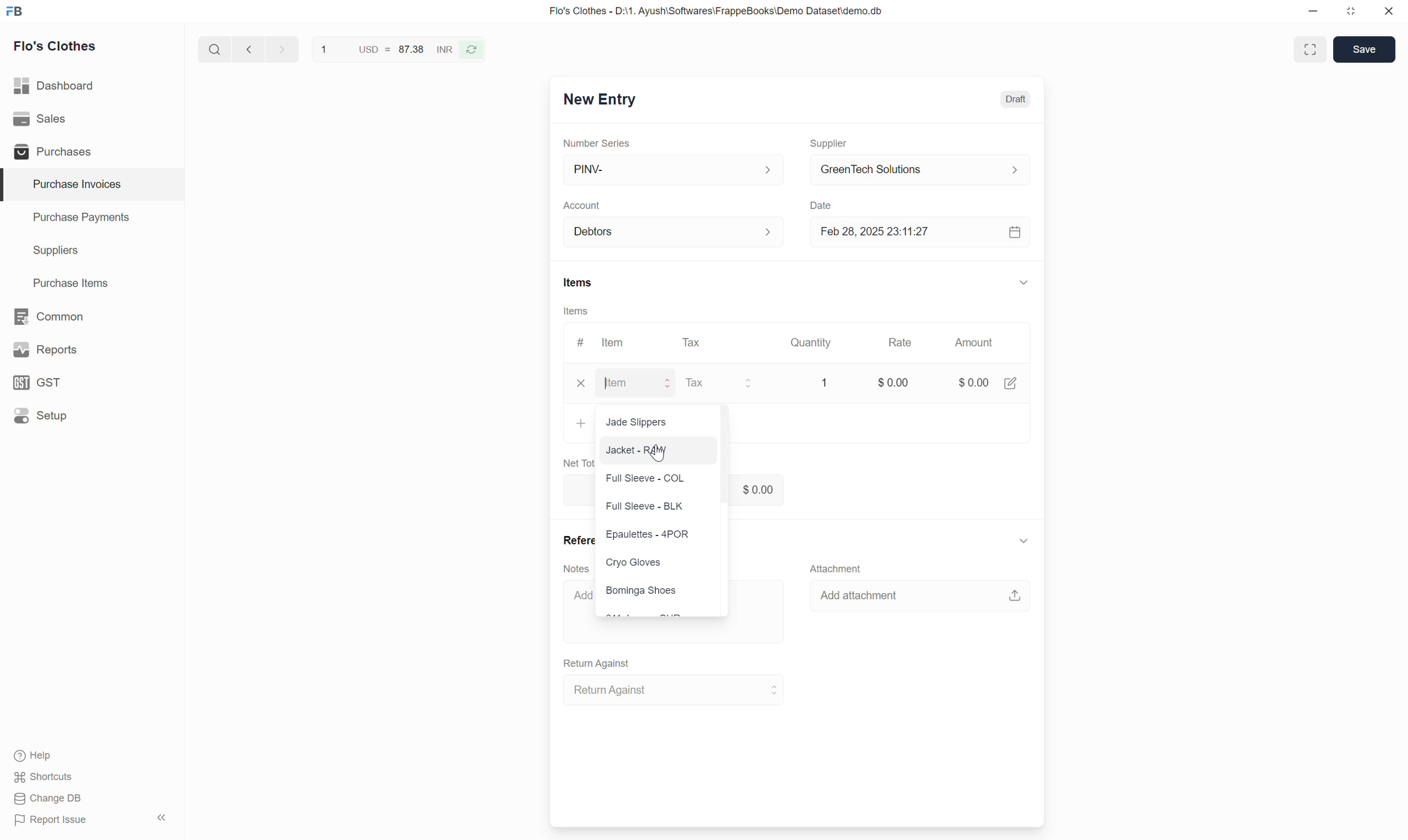 This screenshot has height=840, width=1408. I want to click on Save, so click(1364, 49).